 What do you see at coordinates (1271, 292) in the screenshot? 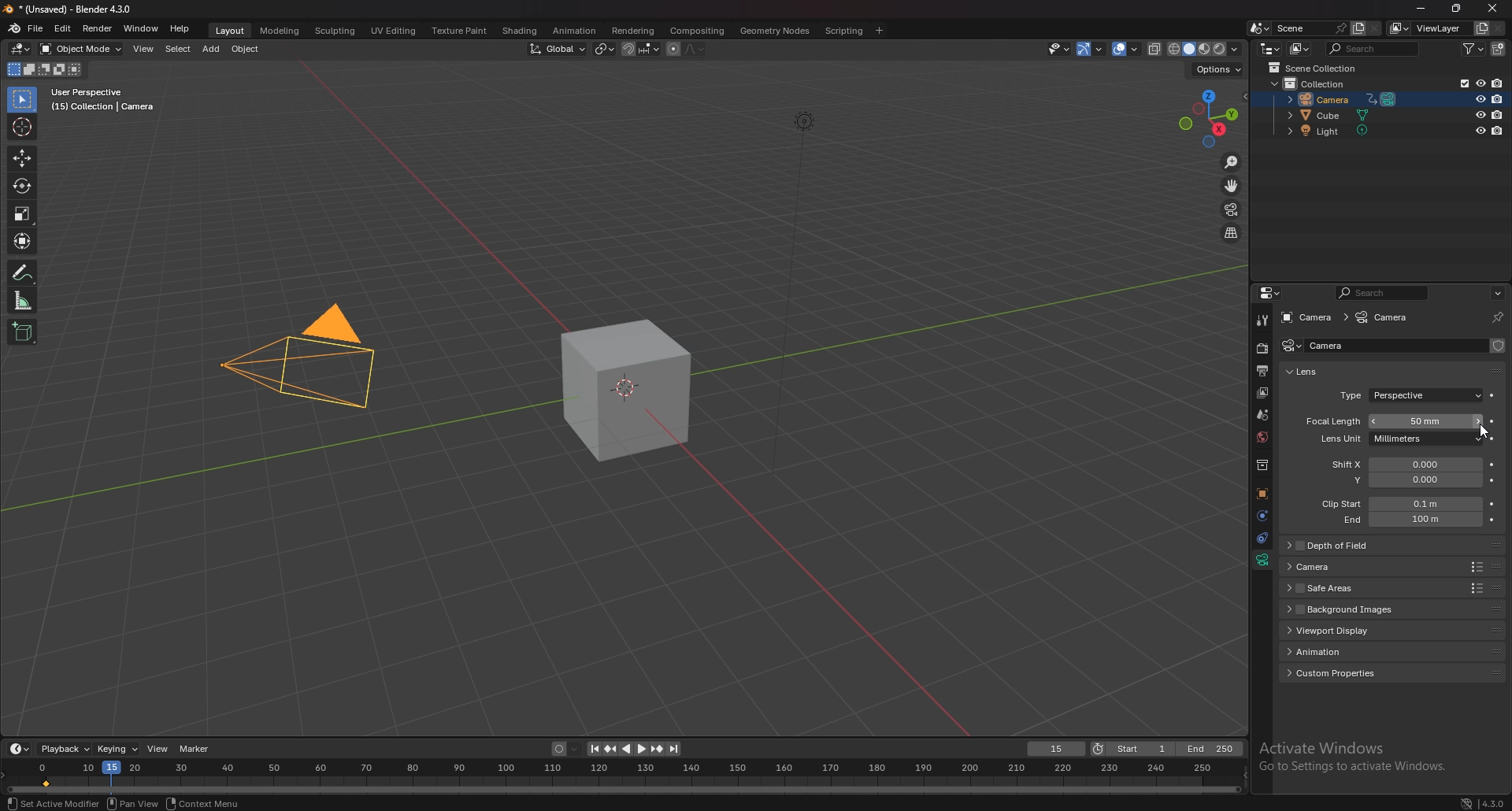
I see `editor type` at bounding box center [1271, 292].